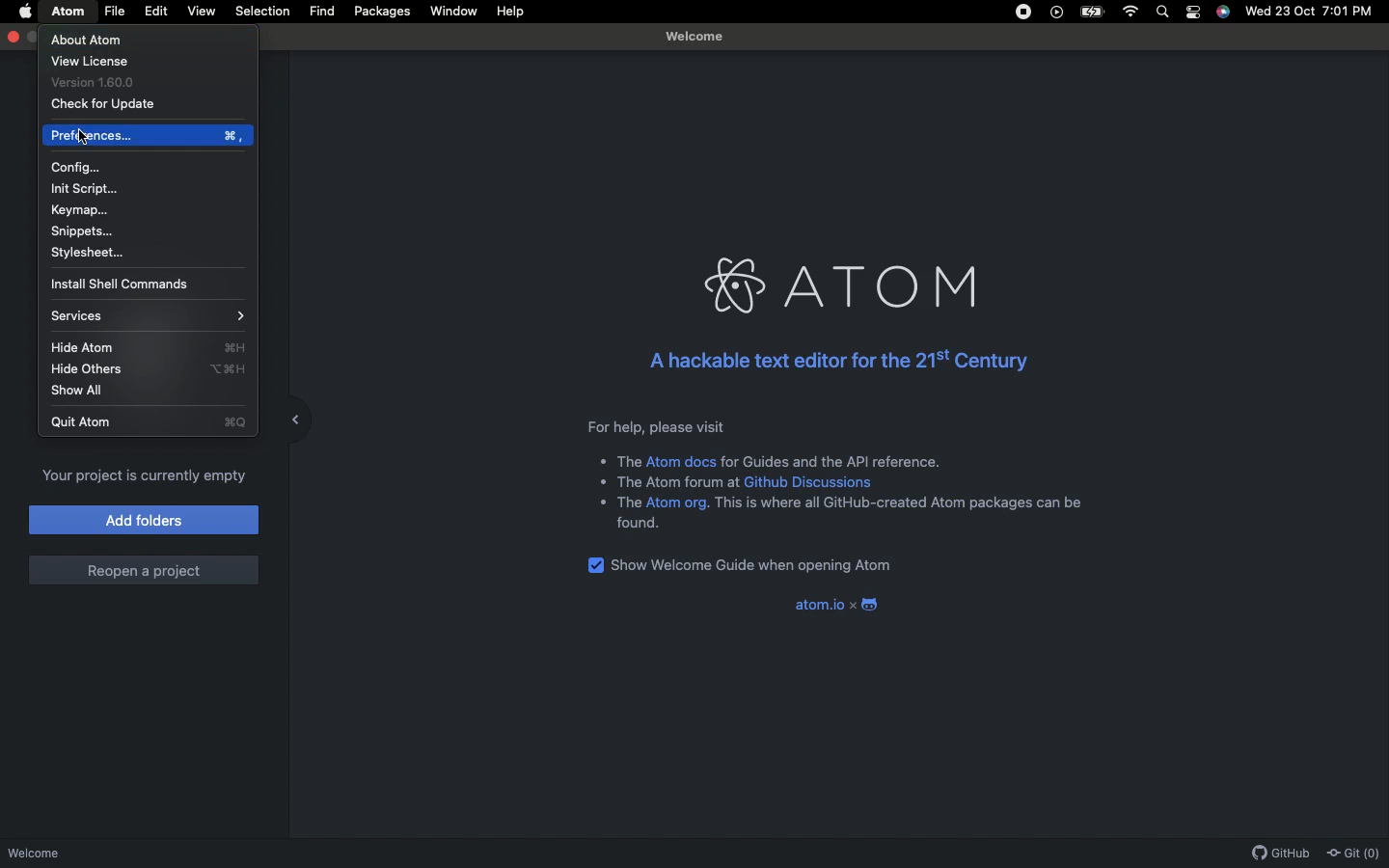 This screenshot has width=1389, height=868. What do you see at coordinates (86, 231) in the screenshot?
I see `Snippets` at bounding box center [86, 231].